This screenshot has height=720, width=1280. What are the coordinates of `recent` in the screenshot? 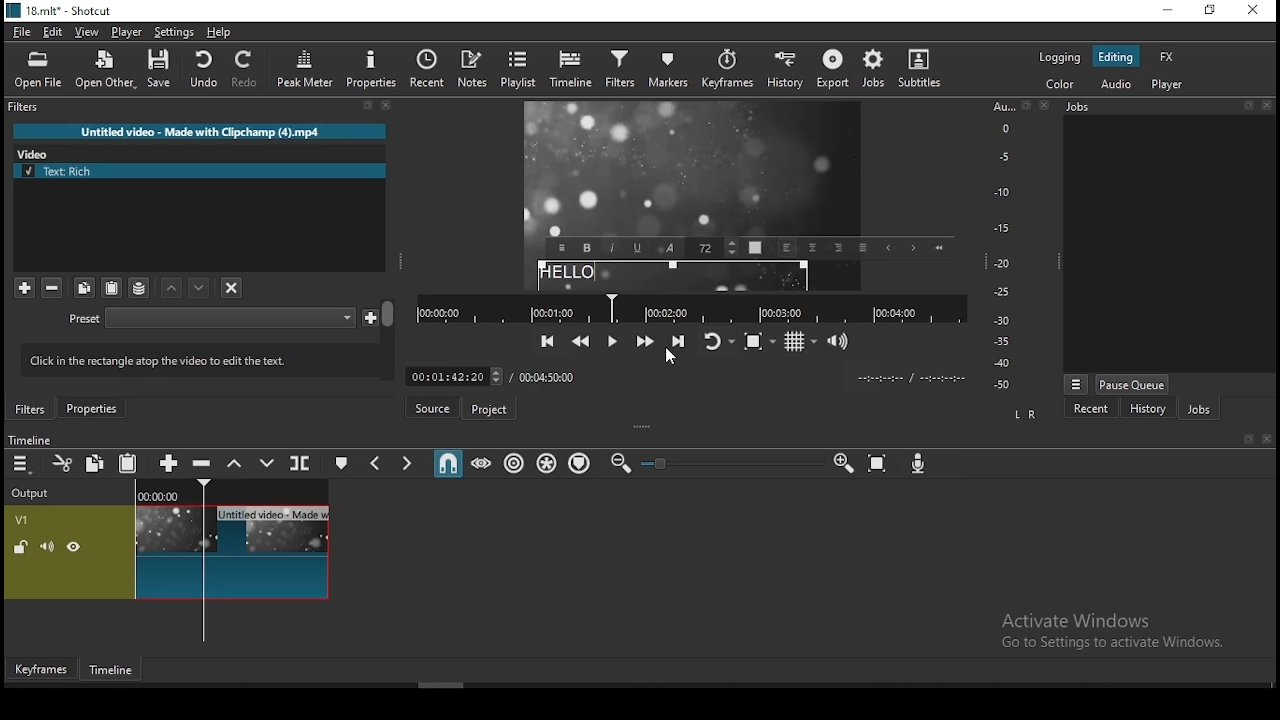 It's located at (427, 69).